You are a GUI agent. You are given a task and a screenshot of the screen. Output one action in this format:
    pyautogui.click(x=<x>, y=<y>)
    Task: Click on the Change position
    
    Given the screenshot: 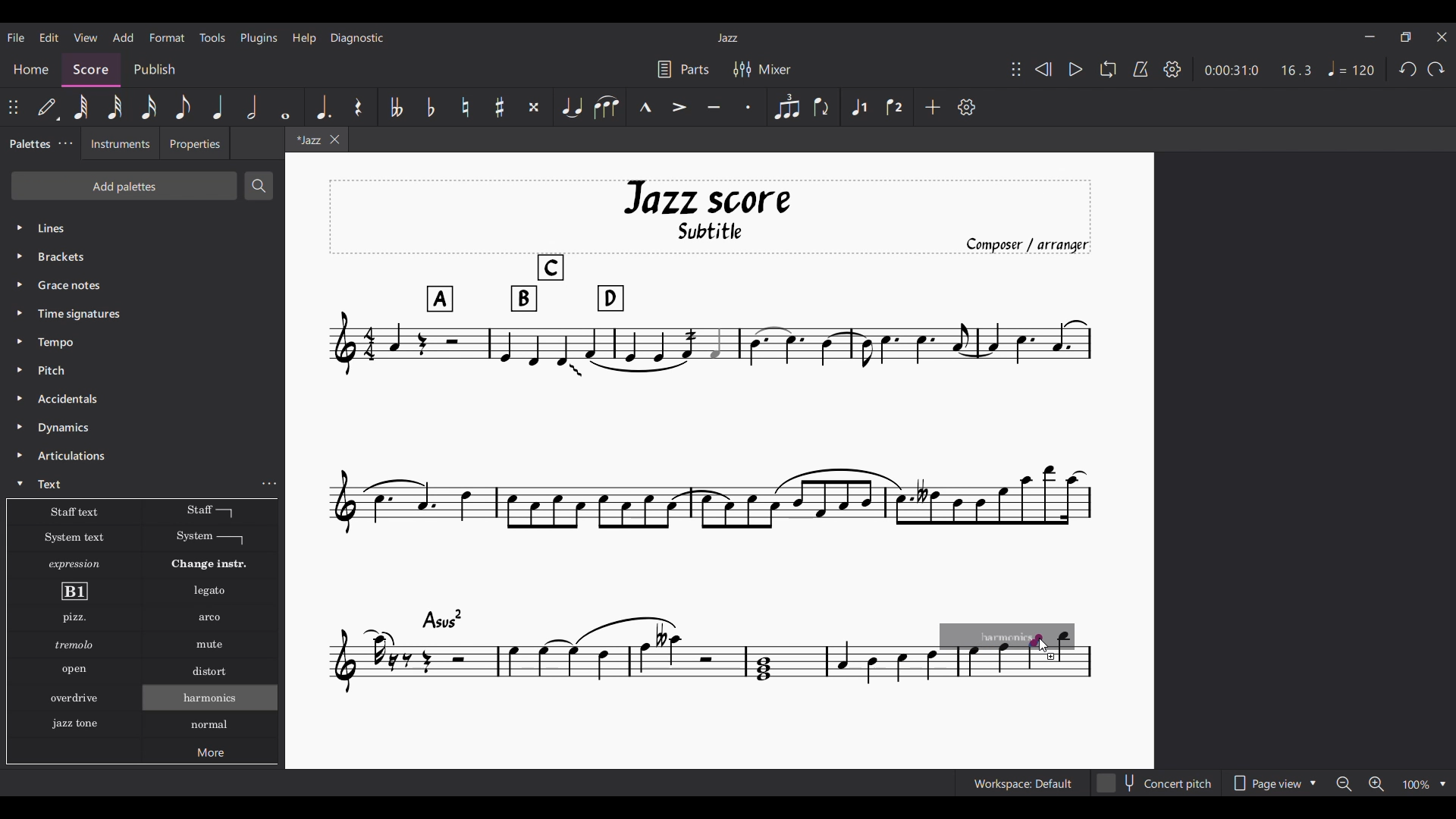 What is the action you would take?
    pyautogui.click(x=13, y=107)
    